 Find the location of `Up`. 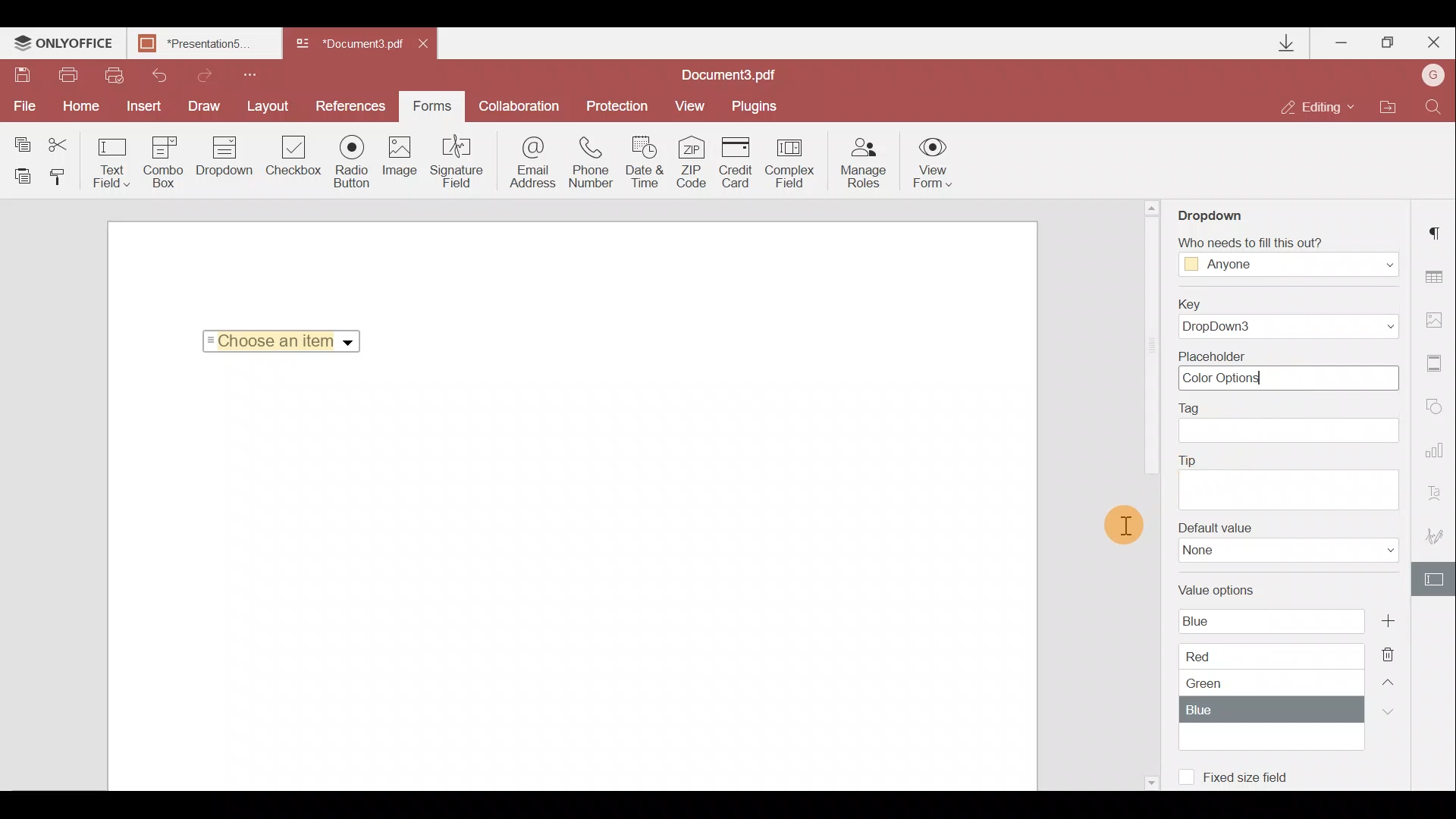

Up is located at coordinates (1391, 679).